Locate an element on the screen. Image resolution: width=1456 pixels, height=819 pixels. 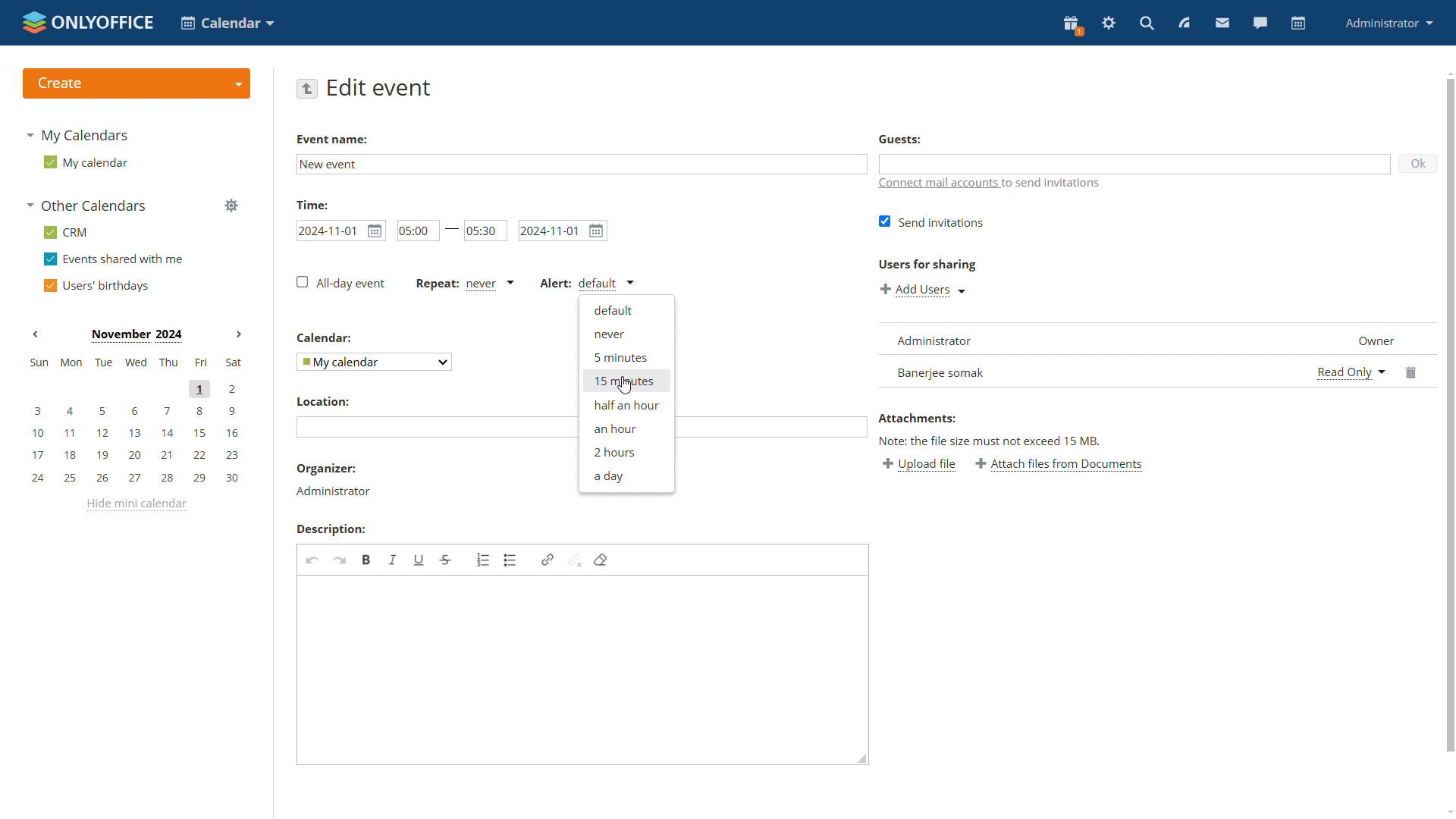
organiser is located at coordinates (326, 469).